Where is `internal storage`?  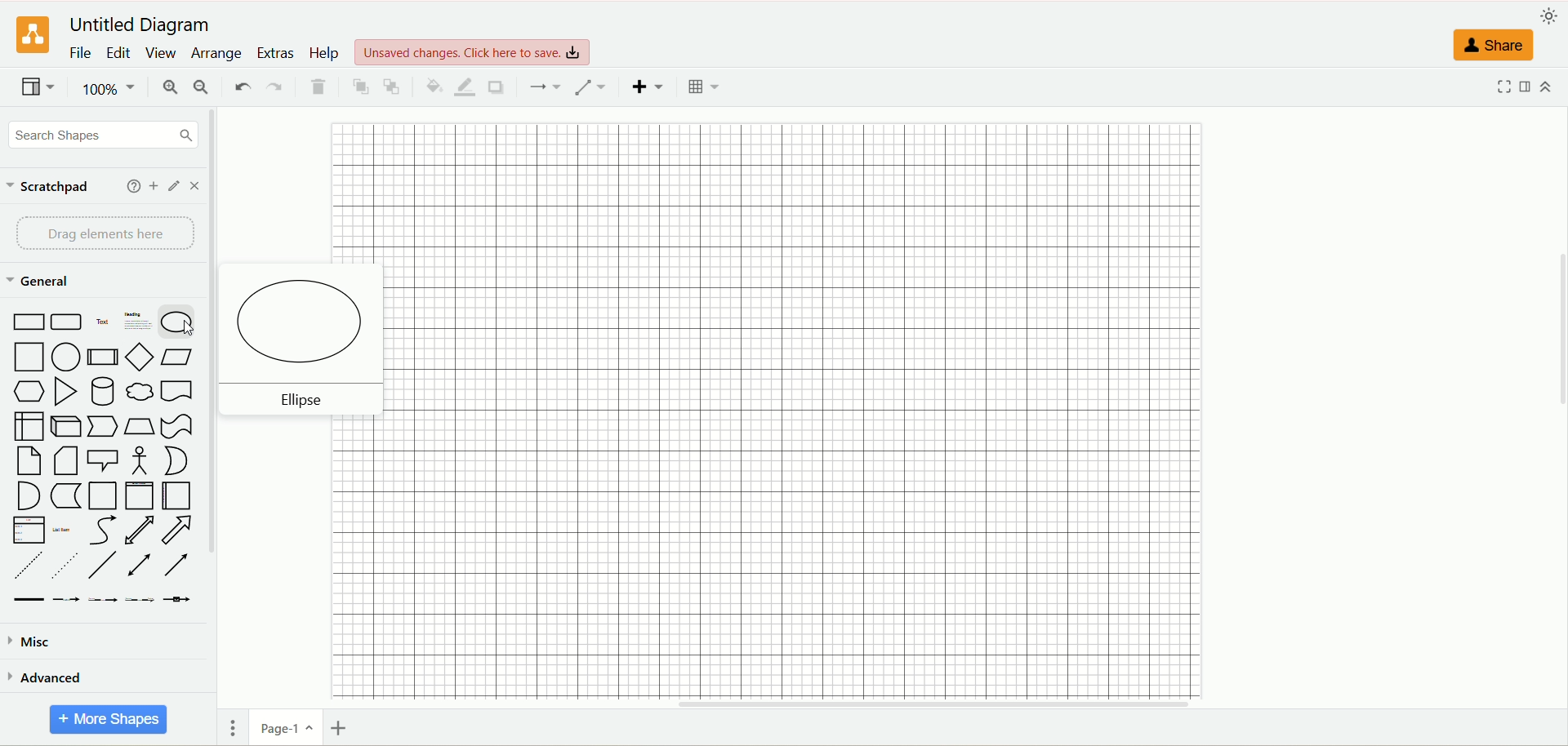
internal storage is located at coordinates (29, 426).